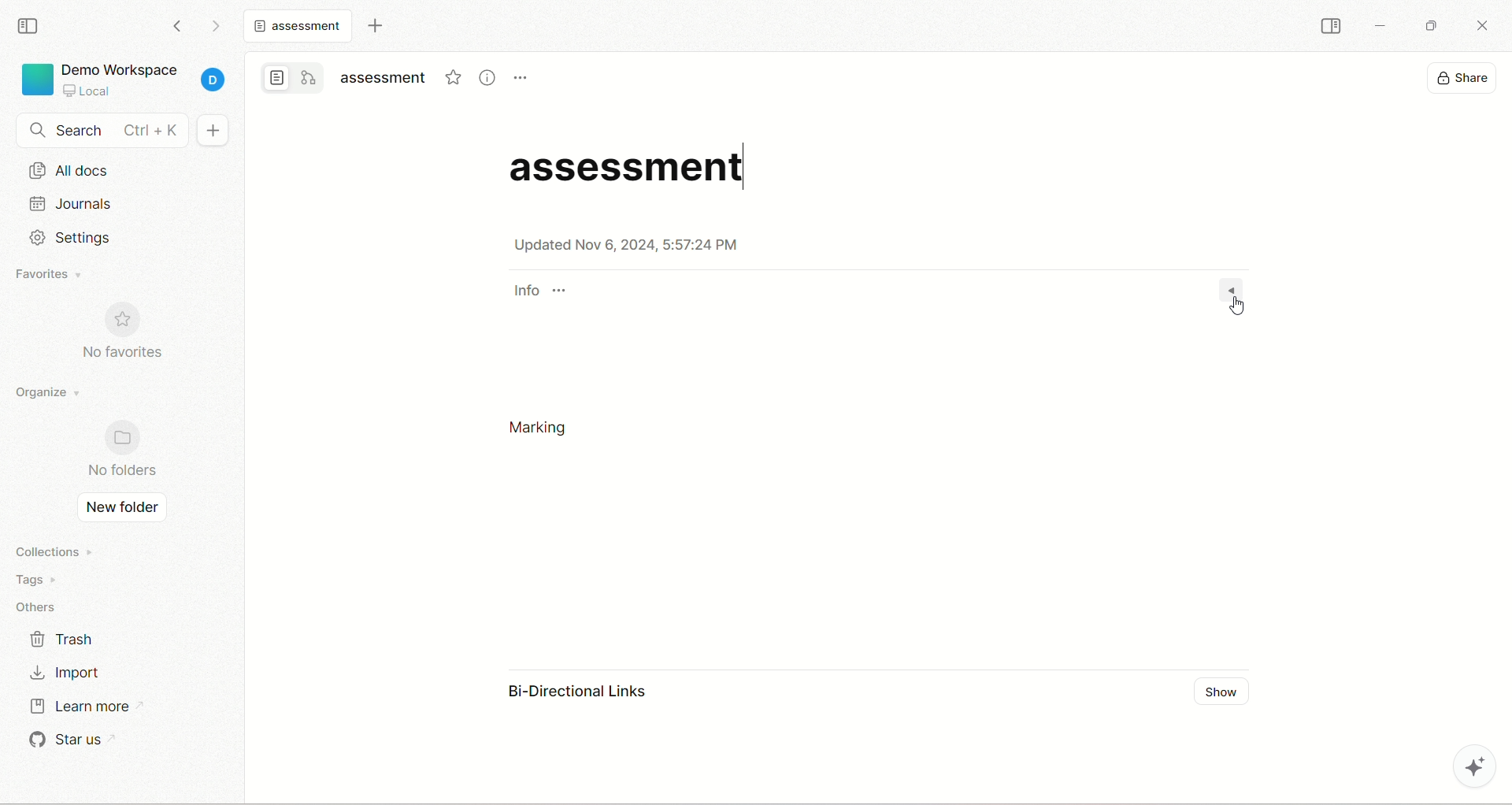 This screenshot has width=1512, height=805. Describe the element at coordinates (1230, 288) in the screenshot. I see `expand` at that location.